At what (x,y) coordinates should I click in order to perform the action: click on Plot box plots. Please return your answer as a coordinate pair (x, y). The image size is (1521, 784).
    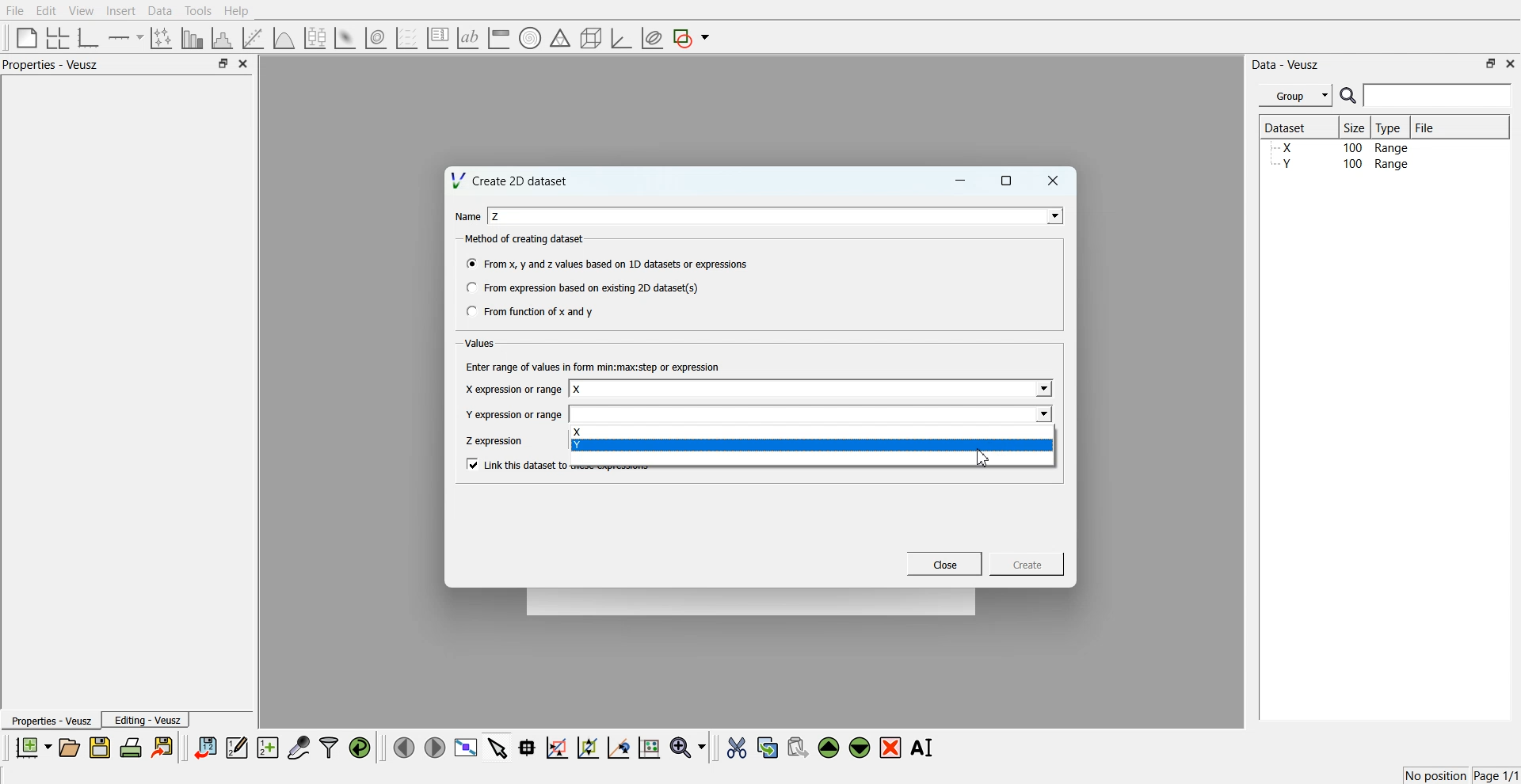
    Looking at the image, I should click on (315, 38).